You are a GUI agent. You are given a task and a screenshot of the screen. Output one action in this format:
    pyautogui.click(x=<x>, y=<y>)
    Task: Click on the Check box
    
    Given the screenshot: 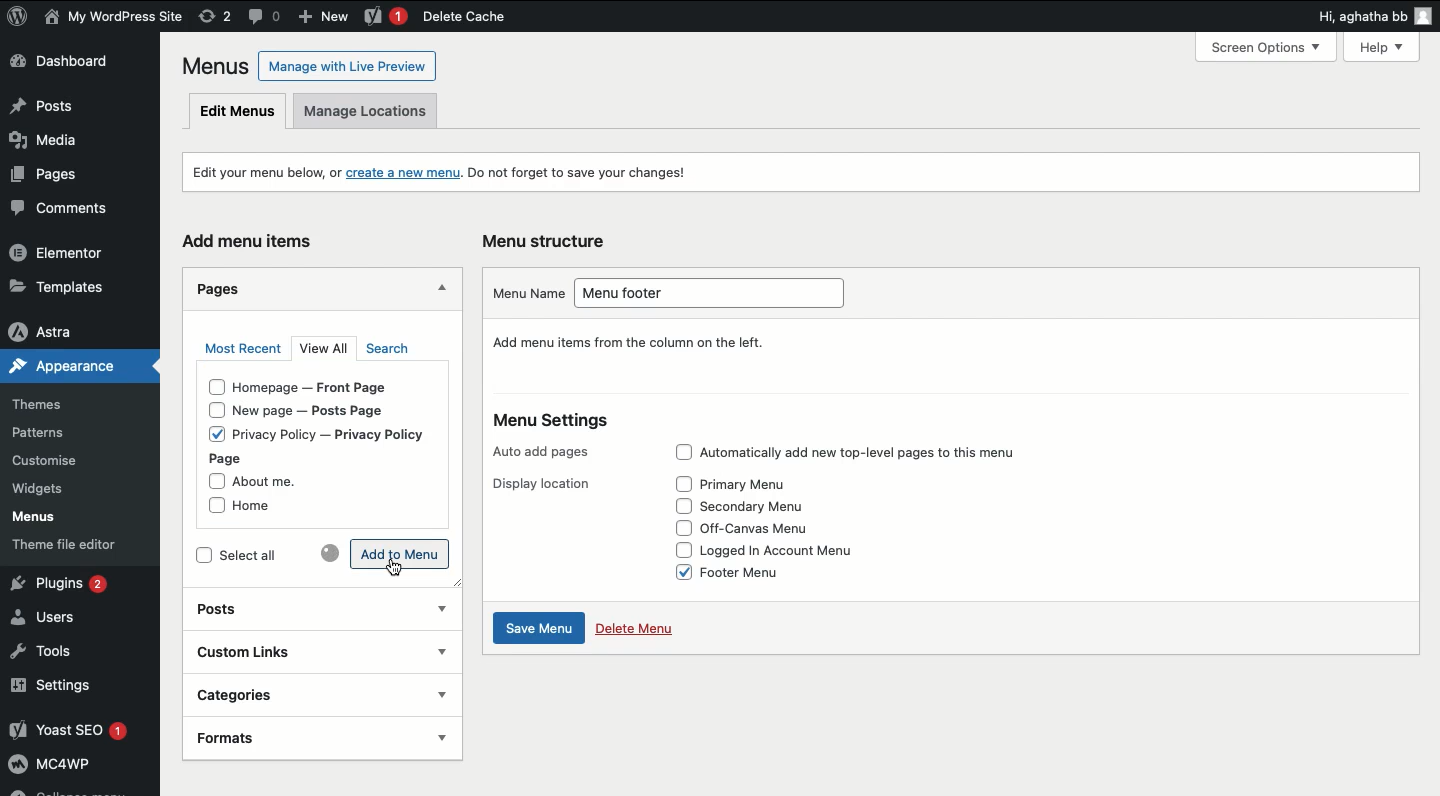 What is the action you would take?
    pyautogui.click(x=676, y=571)
    